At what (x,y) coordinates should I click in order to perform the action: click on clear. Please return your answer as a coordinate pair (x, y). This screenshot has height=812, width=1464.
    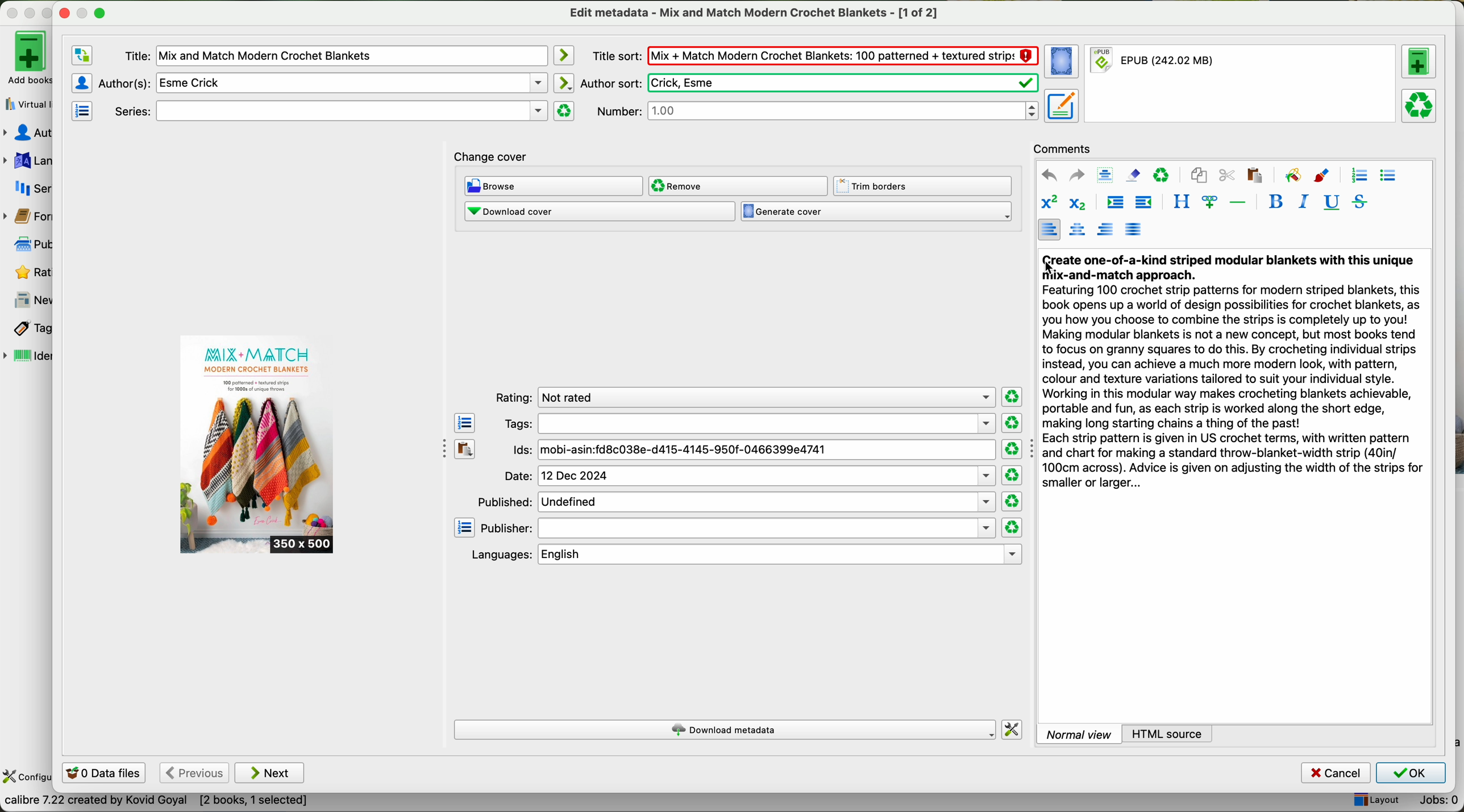
    Looking at the image, I should click on (1162, 176).